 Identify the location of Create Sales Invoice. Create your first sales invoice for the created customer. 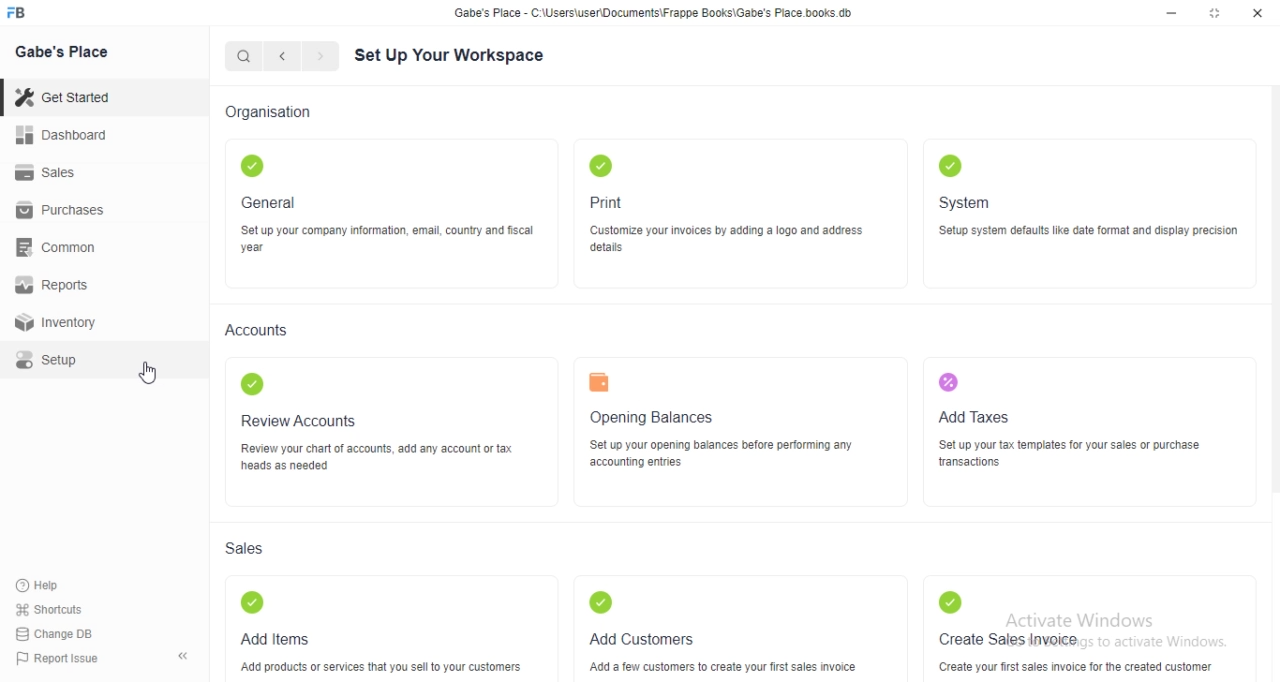
(1080, 627).